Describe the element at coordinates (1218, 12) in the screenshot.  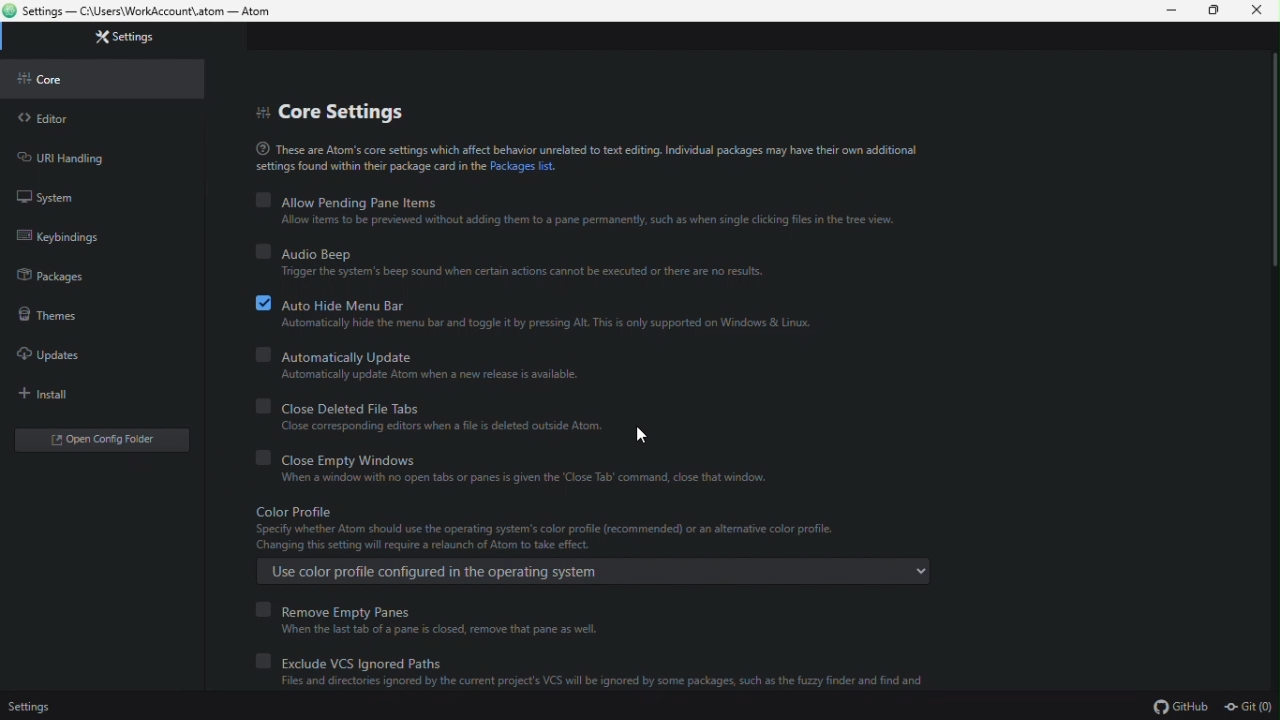
I see `restore` at that location.